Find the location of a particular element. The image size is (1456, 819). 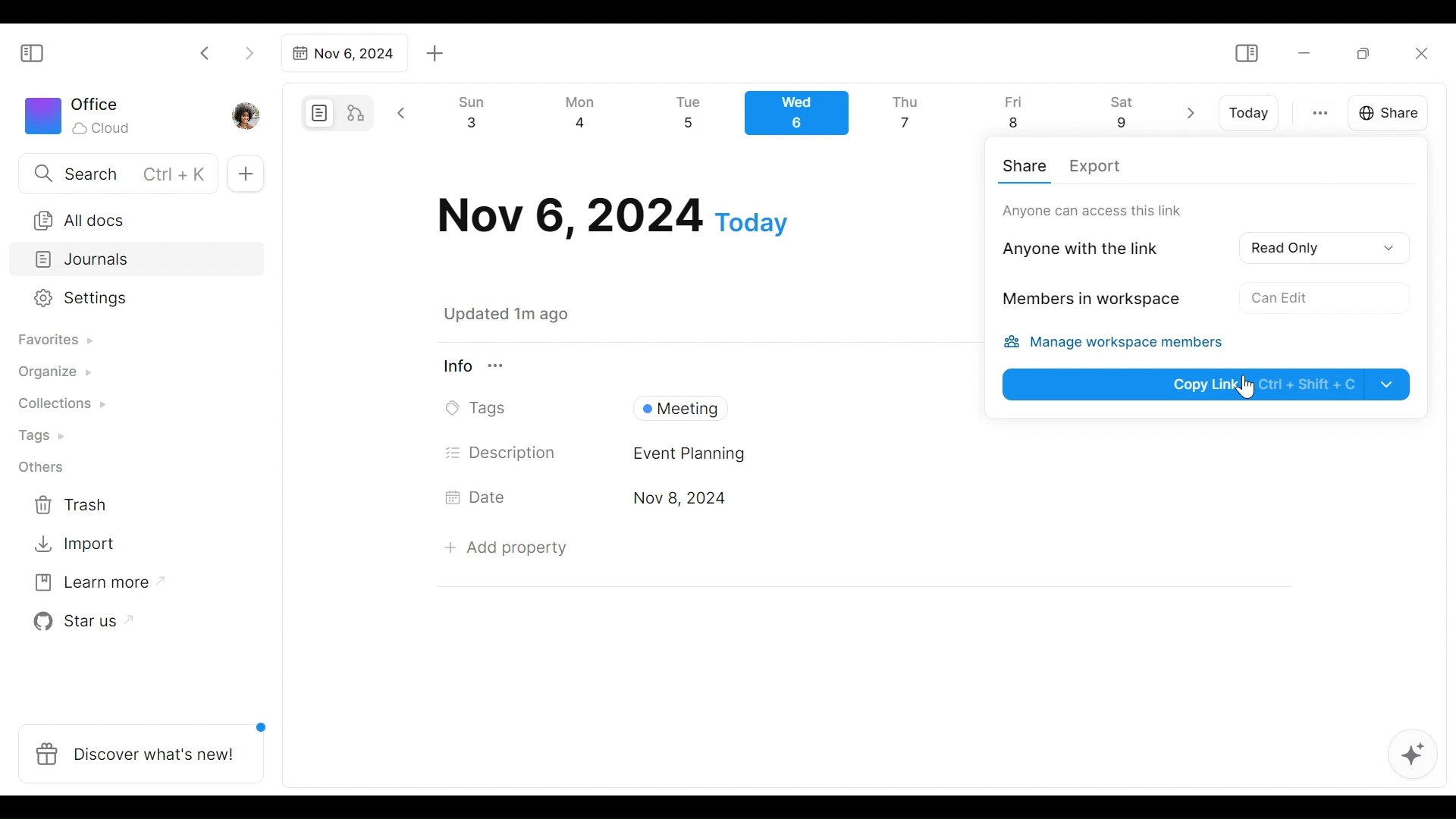

Collections is located at coordinates (60, 406).